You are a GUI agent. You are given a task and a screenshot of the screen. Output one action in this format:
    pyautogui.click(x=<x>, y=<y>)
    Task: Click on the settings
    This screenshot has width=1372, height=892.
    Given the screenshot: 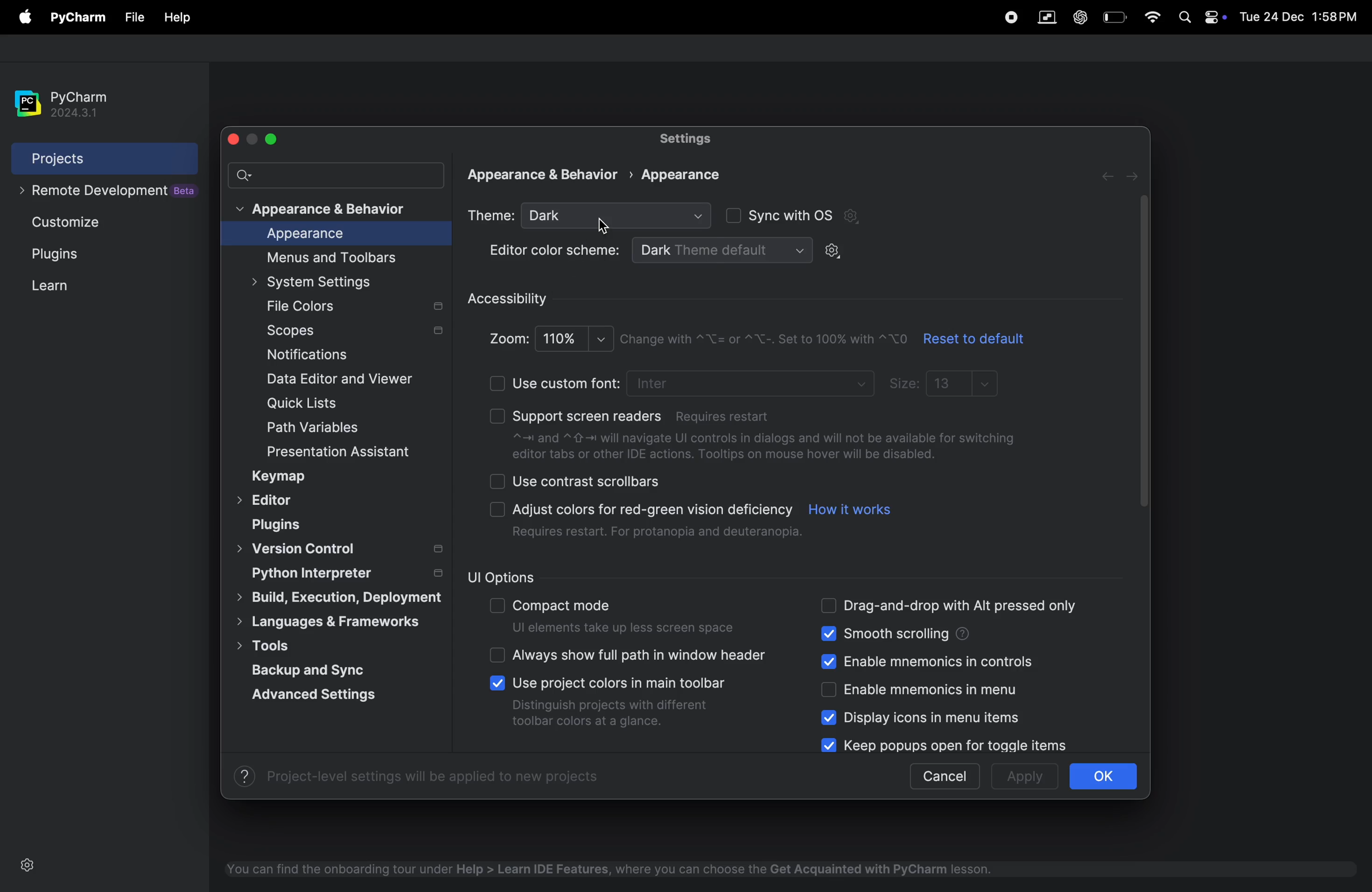 What is the action you would take?
    pyautogui.click(x=31, y=864)
    